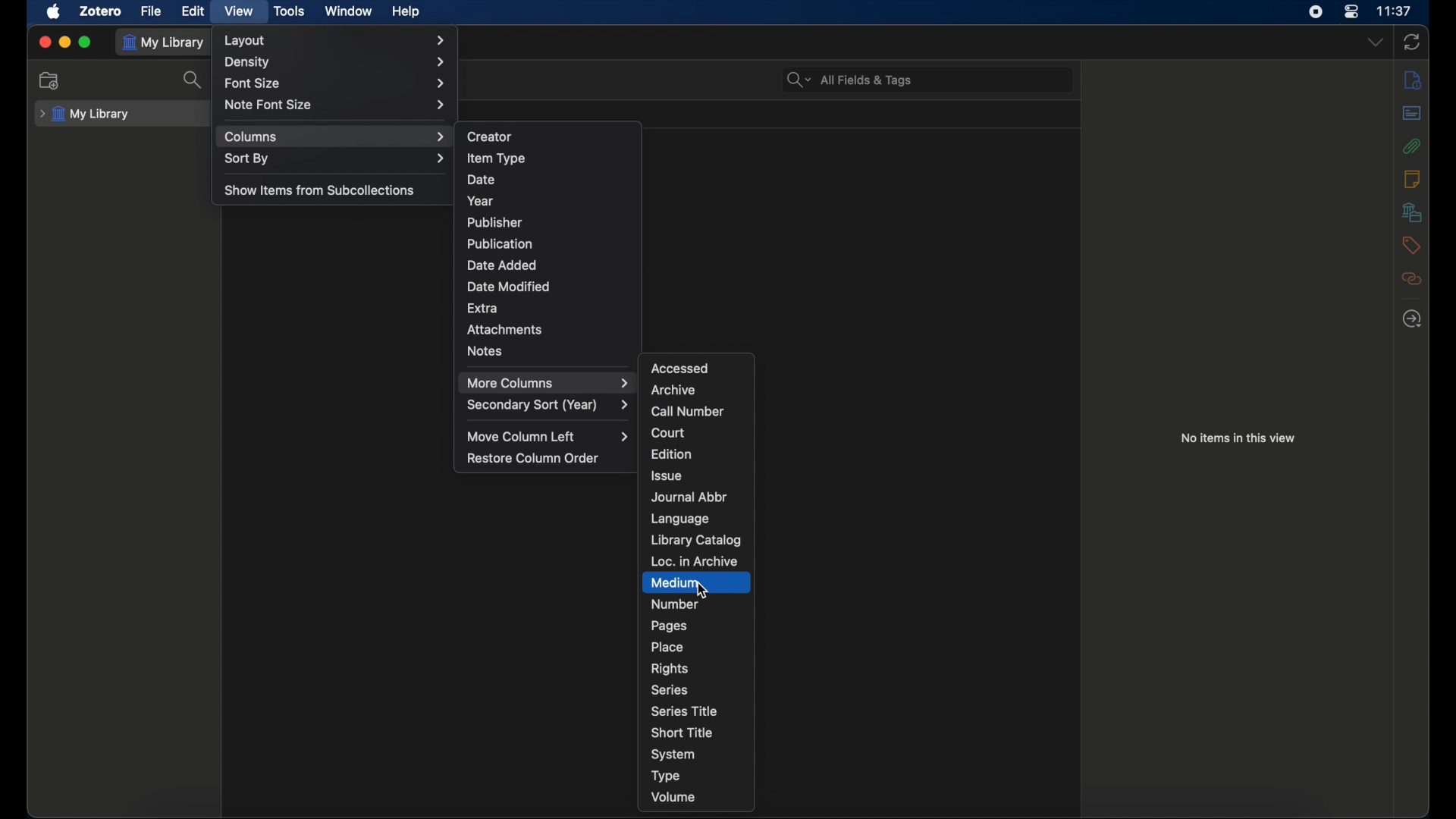 This screenshot has width=1456, height=819. What do you see at coordinates (497, 158) in the screenshot?
I see `item type` at bounding box center [497, 158].